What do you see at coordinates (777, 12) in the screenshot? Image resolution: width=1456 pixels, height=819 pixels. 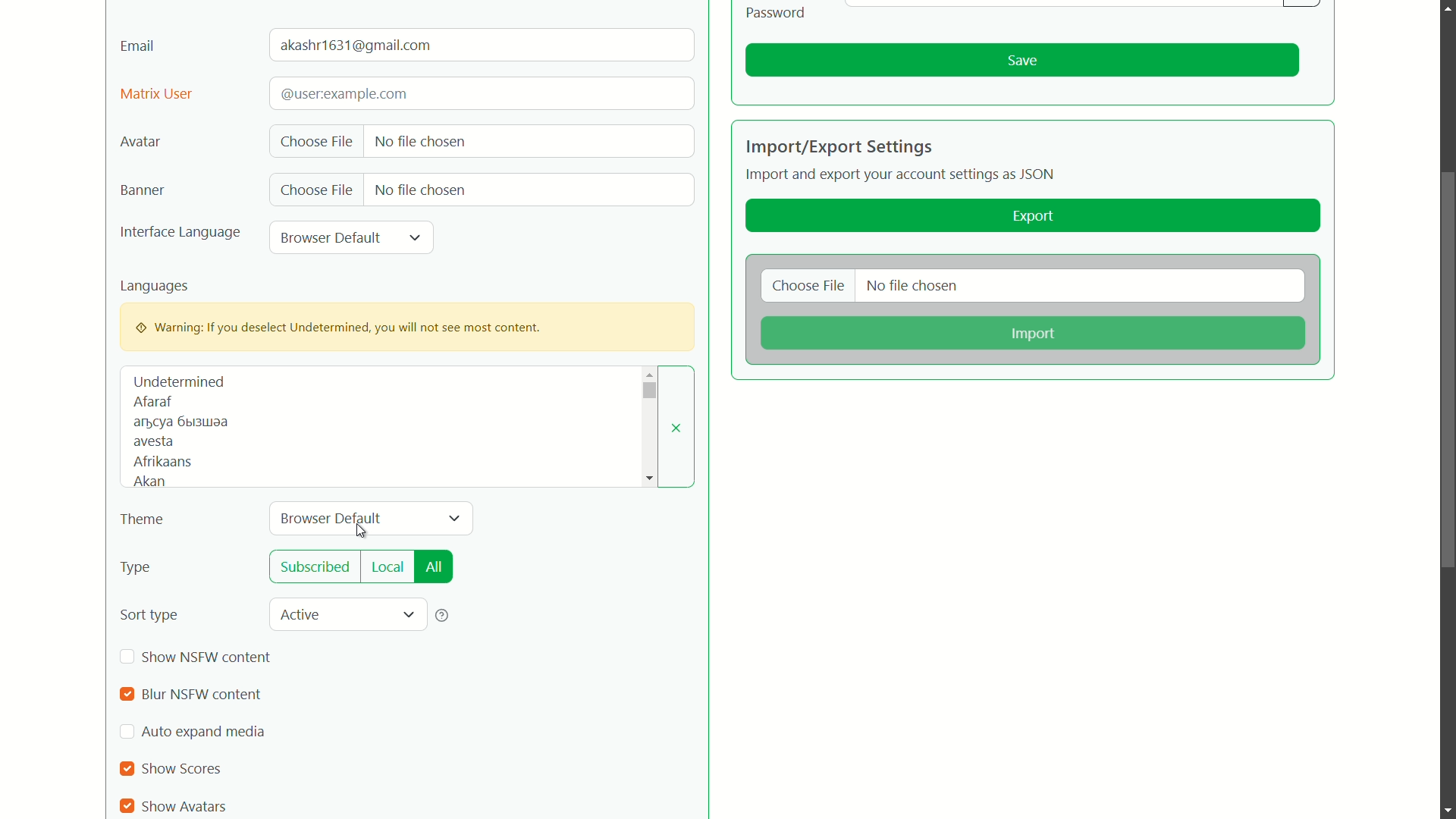 I see `Password` at bounding box center [777, 12].